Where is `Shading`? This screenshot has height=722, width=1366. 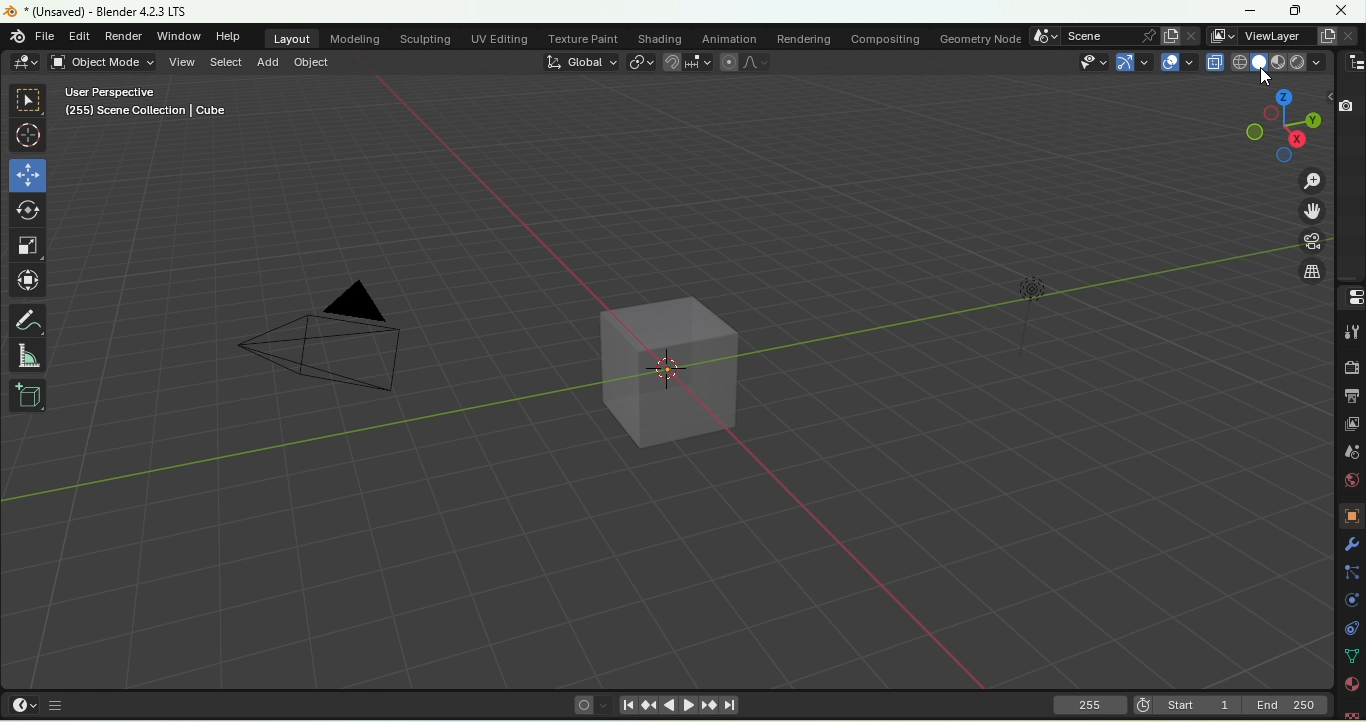
Shading is located at coordinates (660, 38).